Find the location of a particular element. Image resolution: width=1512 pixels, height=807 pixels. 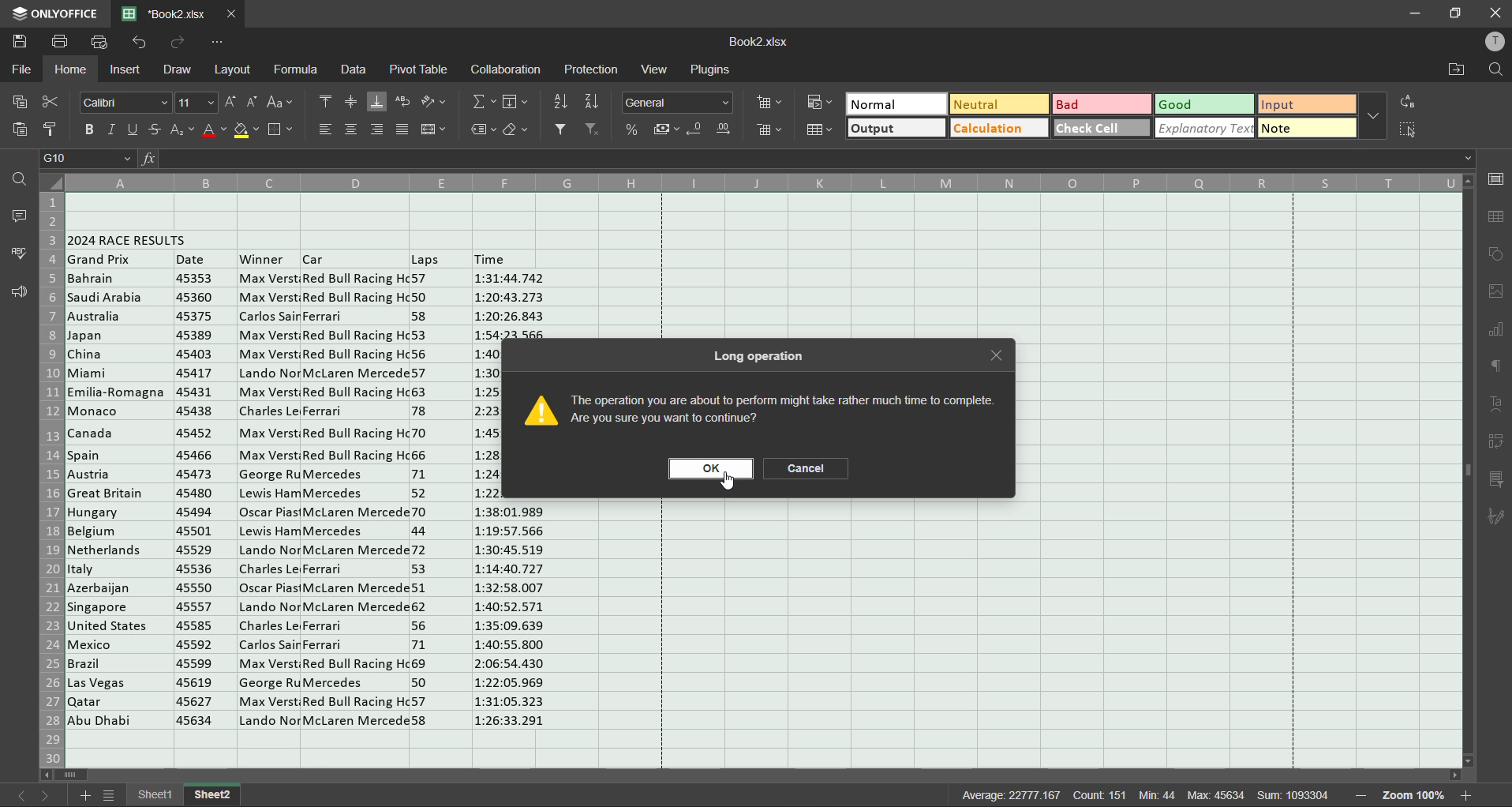

save is located at coordinates (22, 43).